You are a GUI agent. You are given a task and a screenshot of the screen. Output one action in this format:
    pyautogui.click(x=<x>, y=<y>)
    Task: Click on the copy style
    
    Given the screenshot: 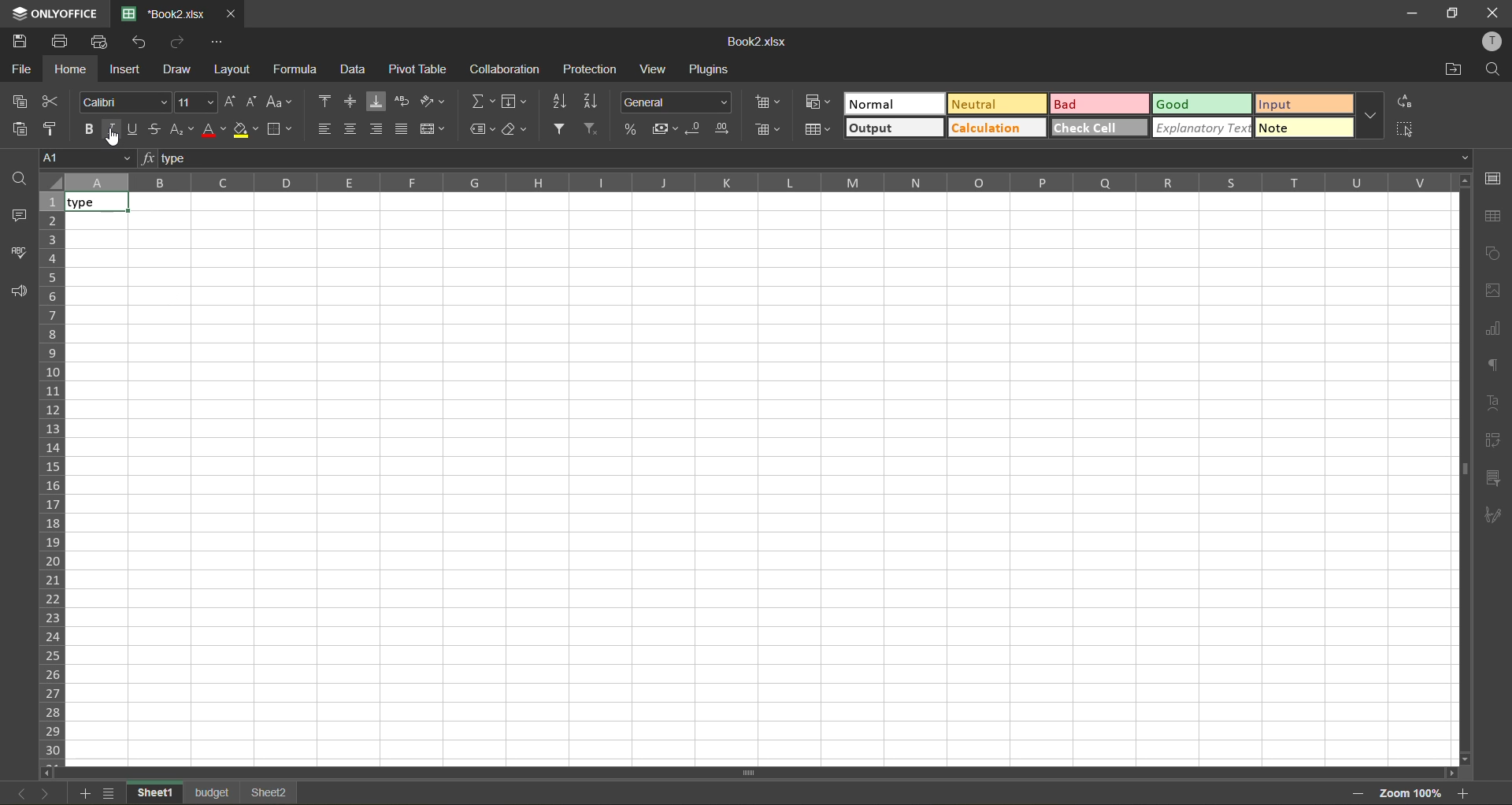 What is the action you would take?
    pyautogui.click(x=53, y=126)
    